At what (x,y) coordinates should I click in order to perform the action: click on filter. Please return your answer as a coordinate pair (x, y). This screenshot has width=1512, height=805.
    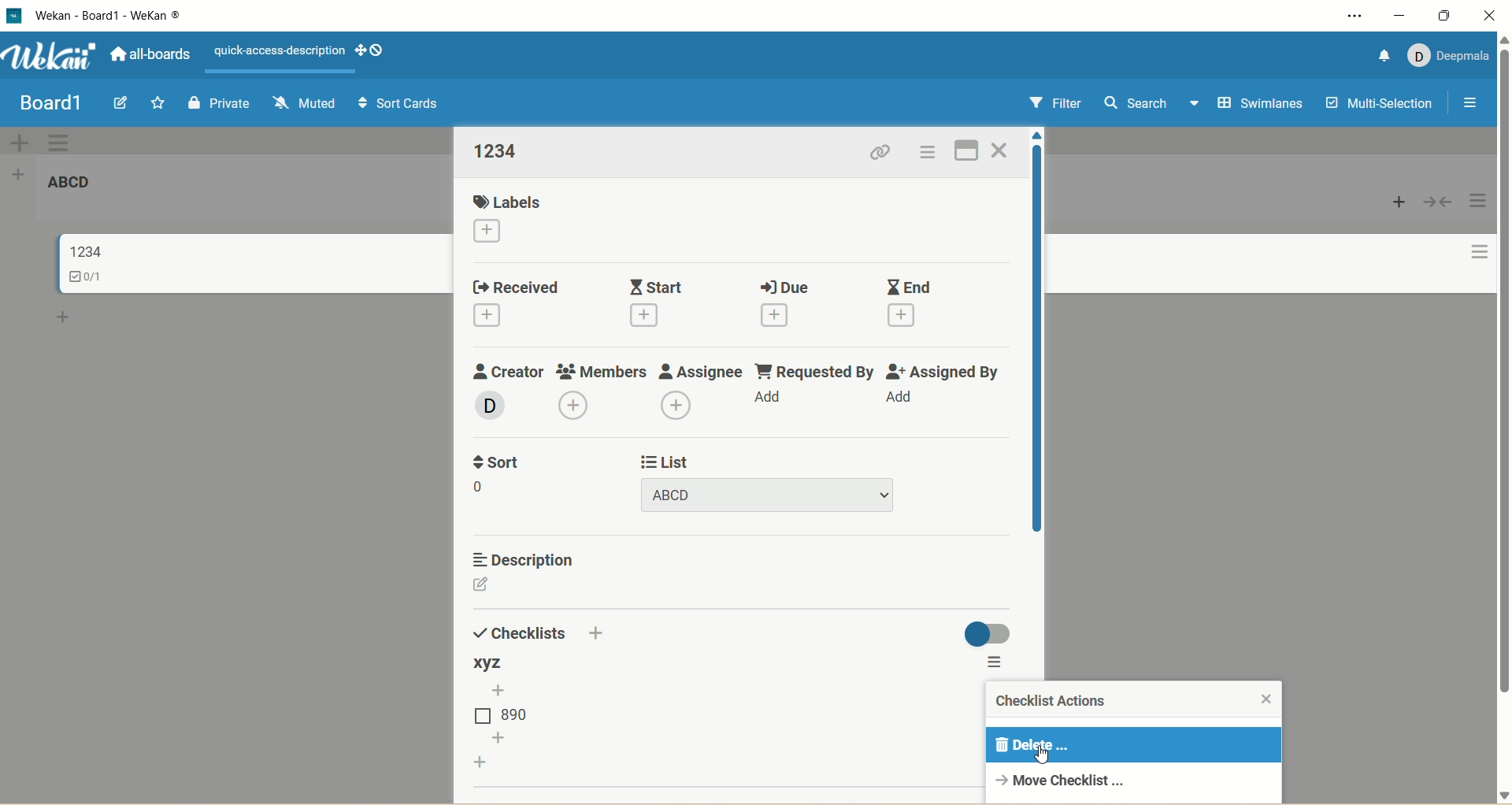
    Looking at the image, I should click on (1064, 103).